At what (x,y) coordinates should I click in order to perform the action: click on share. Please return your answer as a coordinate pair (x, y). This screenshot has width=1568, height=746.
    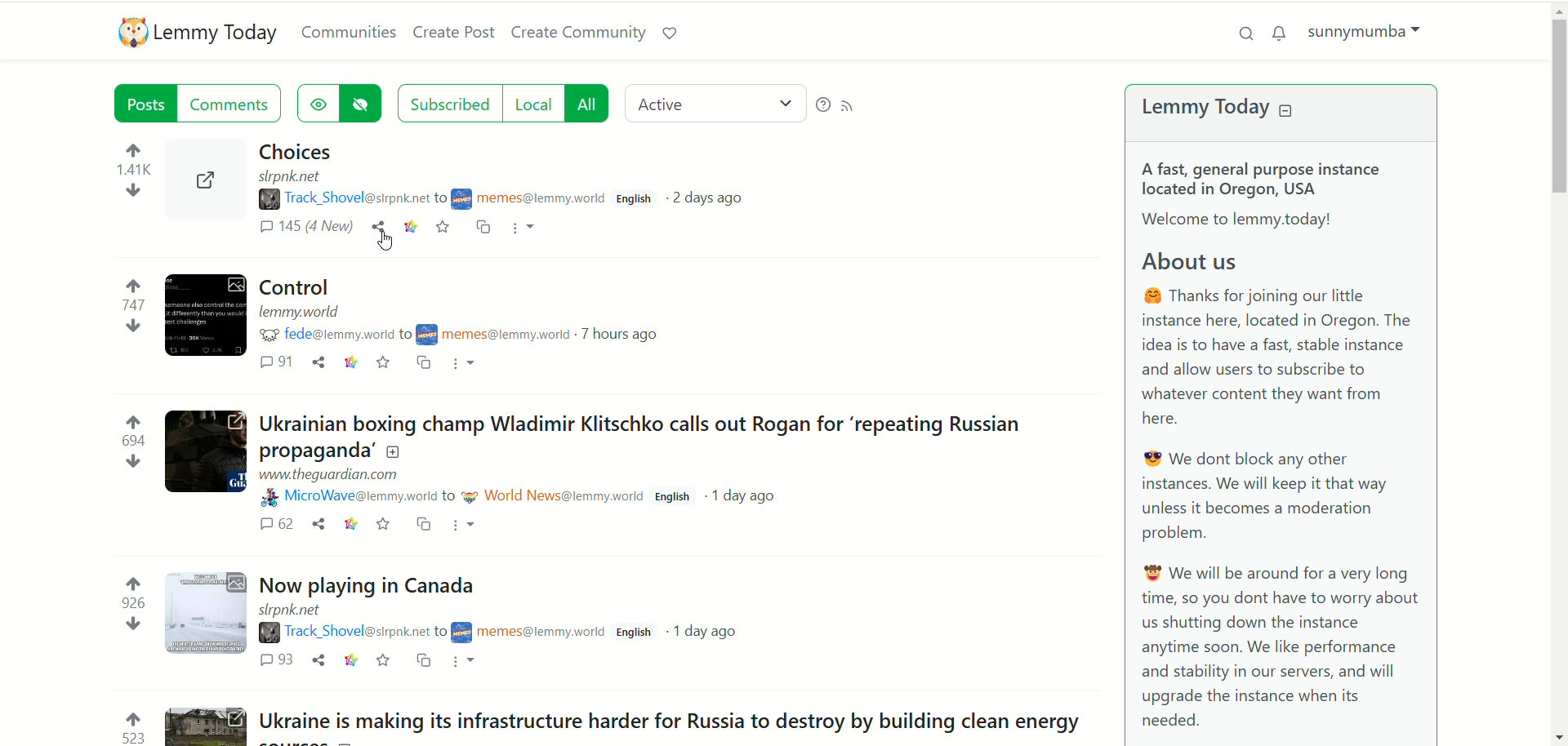
    Looking at the image, I should click on (318, 524).